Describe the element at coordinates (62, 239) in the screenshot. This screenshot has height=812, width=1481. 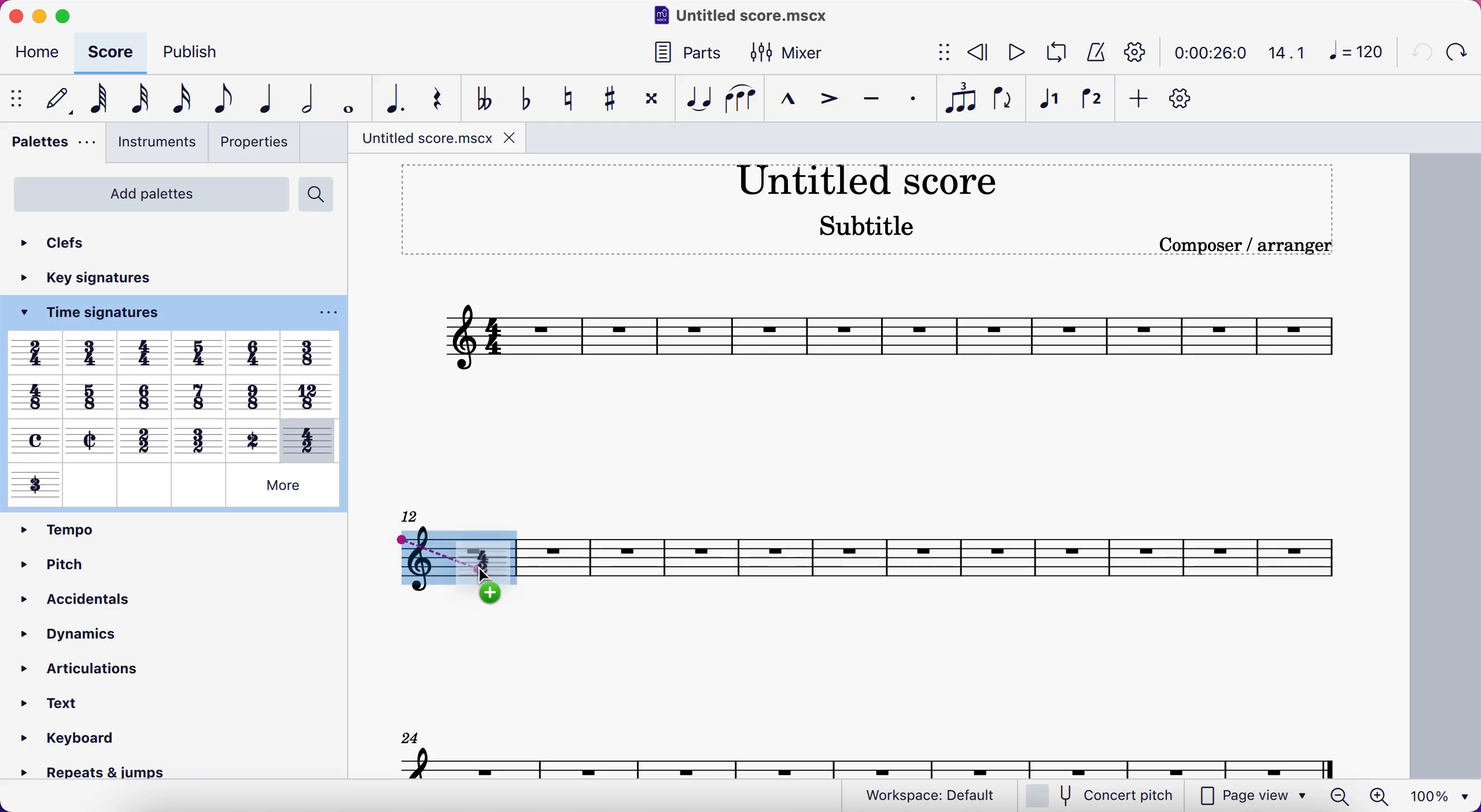
I see `clefs` at that location.